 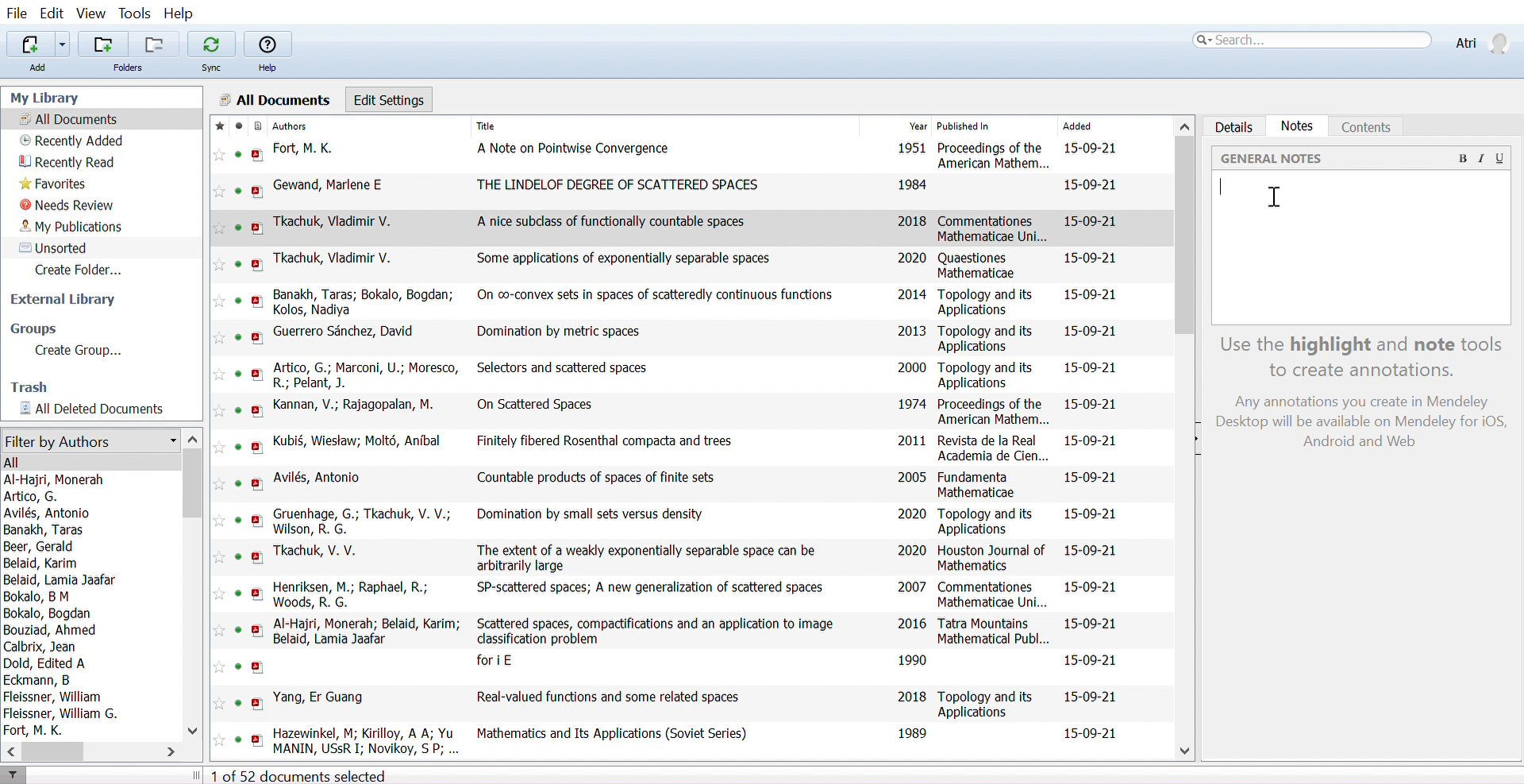 What do you see at coordinates (256, 667) in the screenshot?
I see `open PDF` at bounding box center [256, 667].